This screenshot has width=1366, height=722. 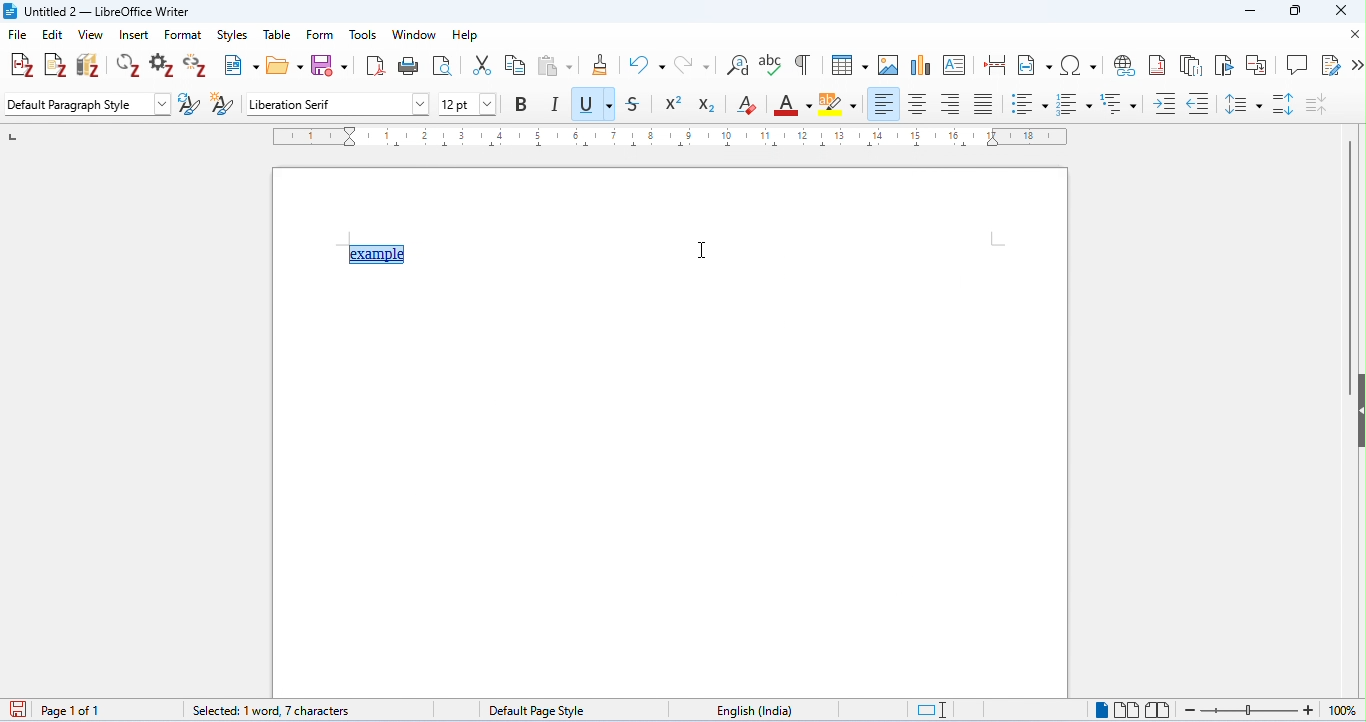 What do you see at coordinates (1031, 105) in the screenshot?
I see `bulleted style` at bounding box center [1031, 105].